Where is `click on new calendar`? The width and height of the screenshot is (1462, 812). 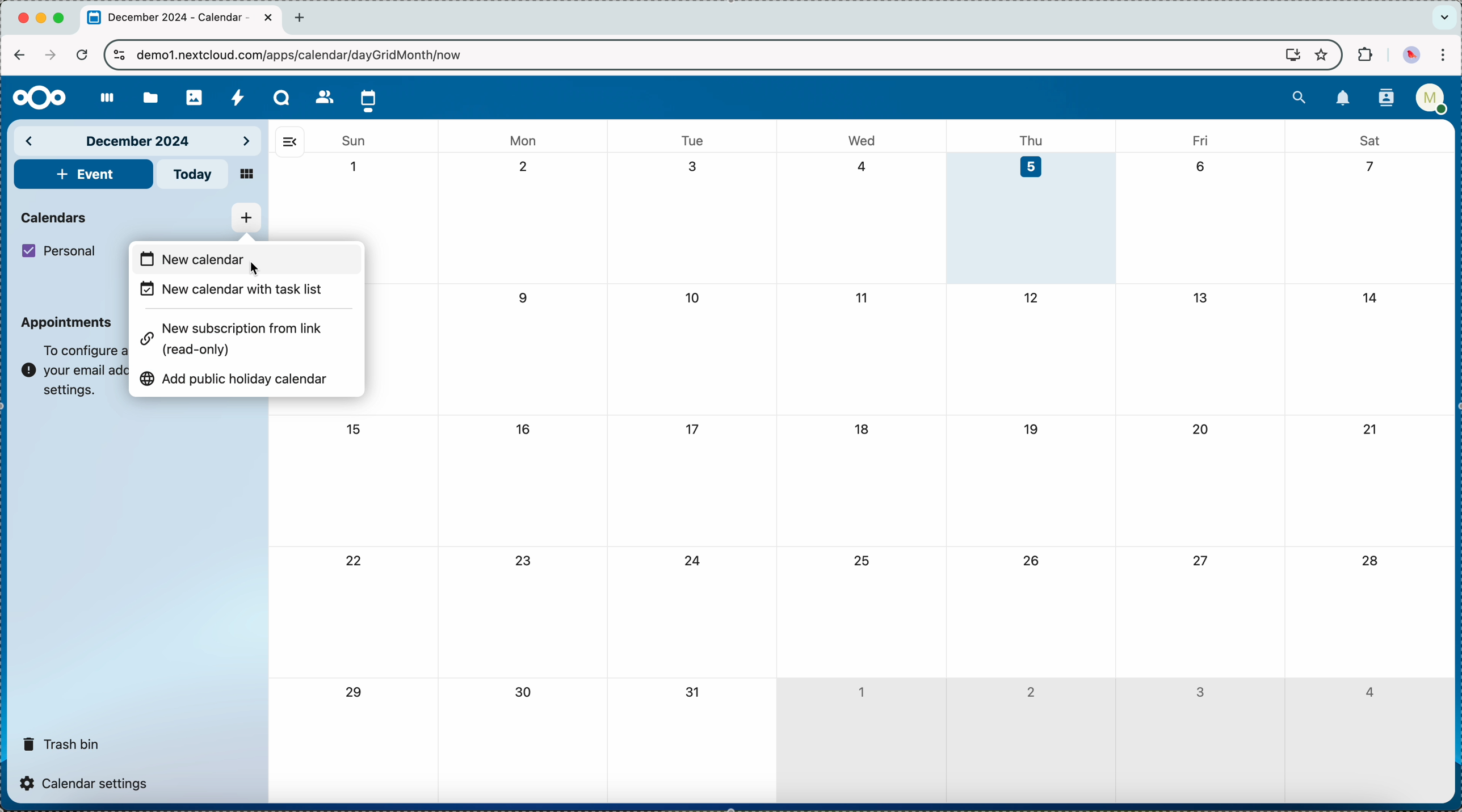 click on new calendar is located at coordinates (247, 259).